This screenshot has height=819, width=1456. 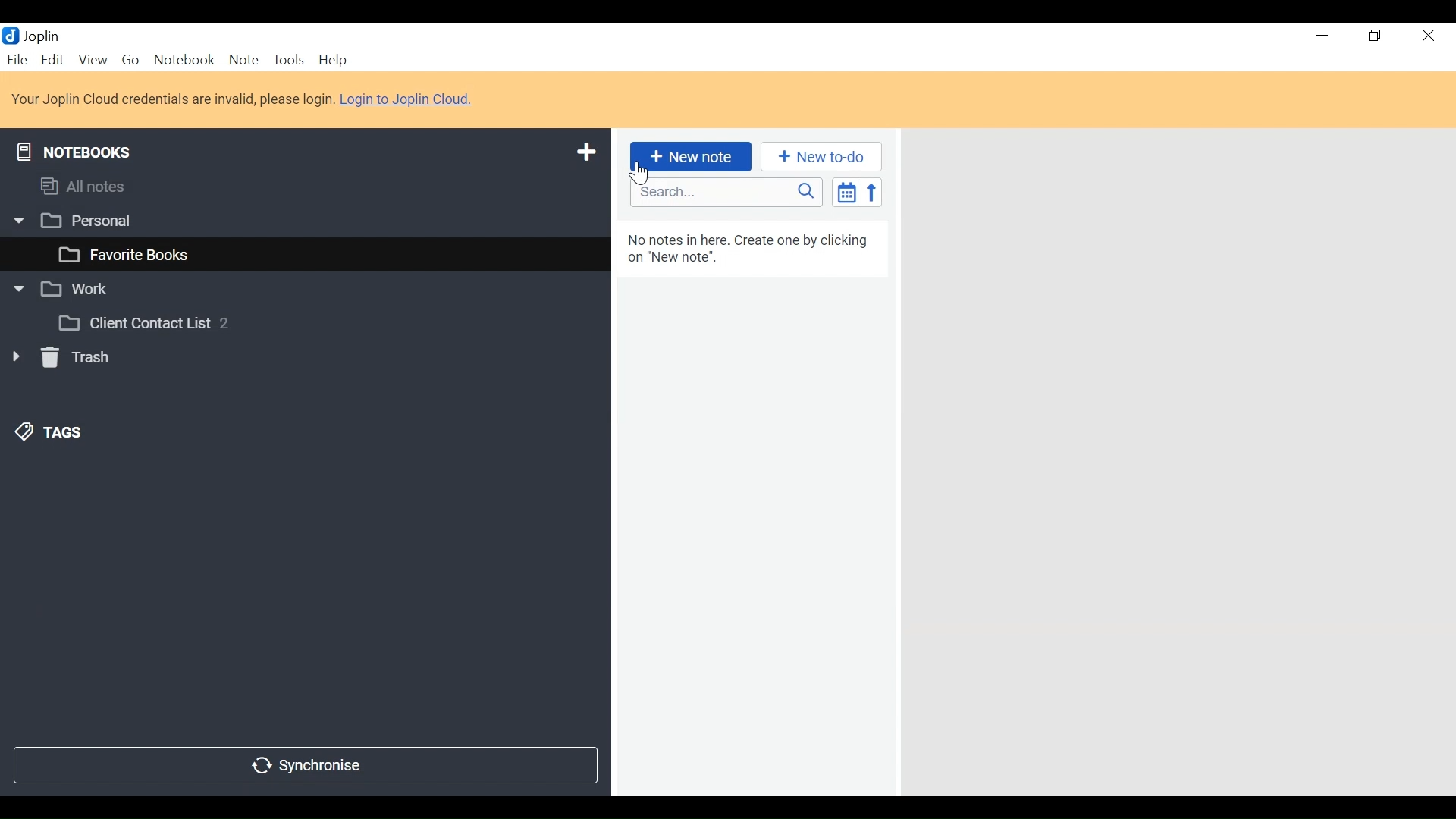 I want to click on Synchronise, so click(x=308, y=765).